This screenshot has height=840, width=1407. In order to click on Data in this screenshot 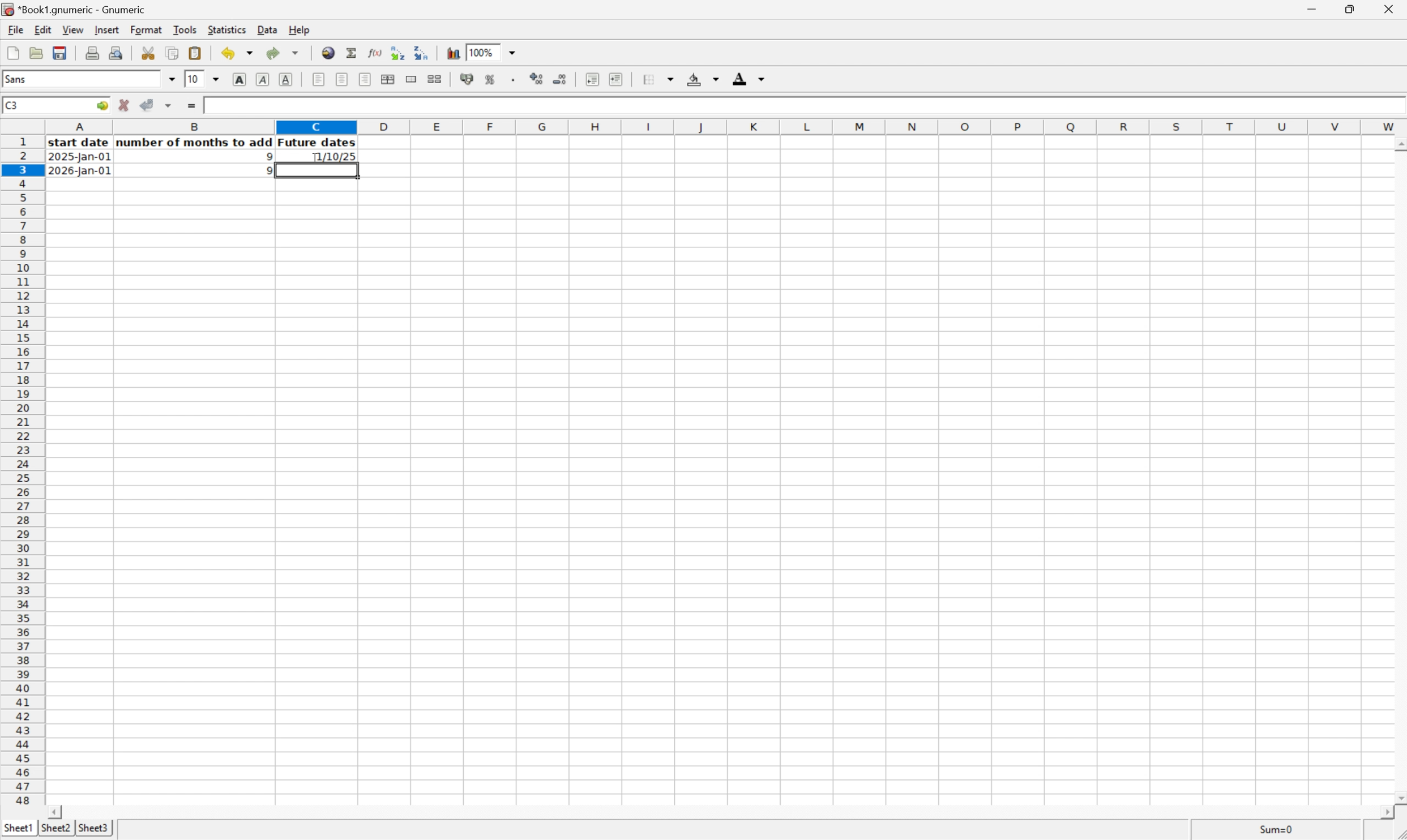, I will do `click(267, 29)`.